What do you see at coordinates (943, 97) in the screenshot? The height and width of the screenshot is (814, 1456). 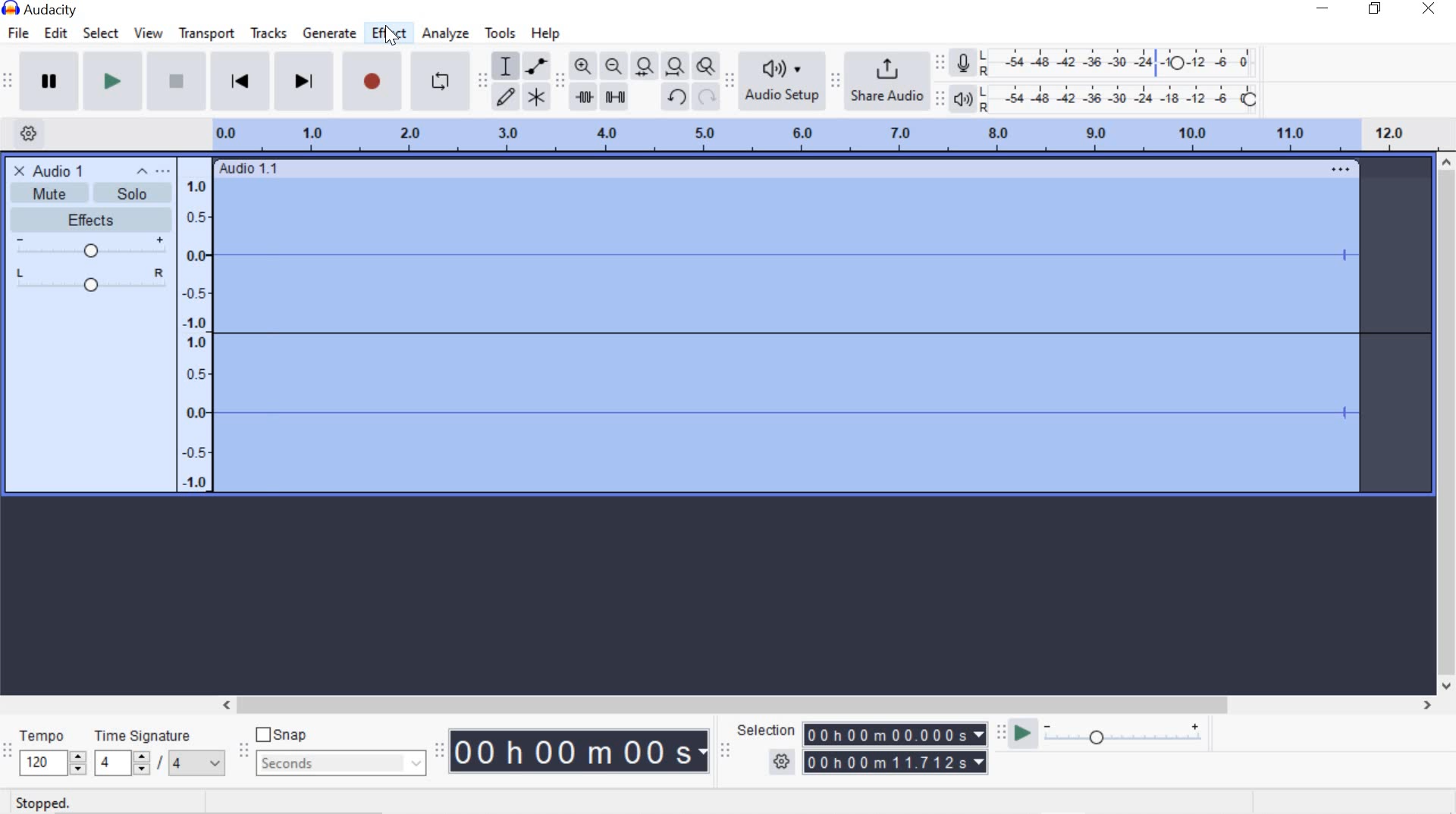 I see `Playback meter toolbar` at bounding box center [943, 97].